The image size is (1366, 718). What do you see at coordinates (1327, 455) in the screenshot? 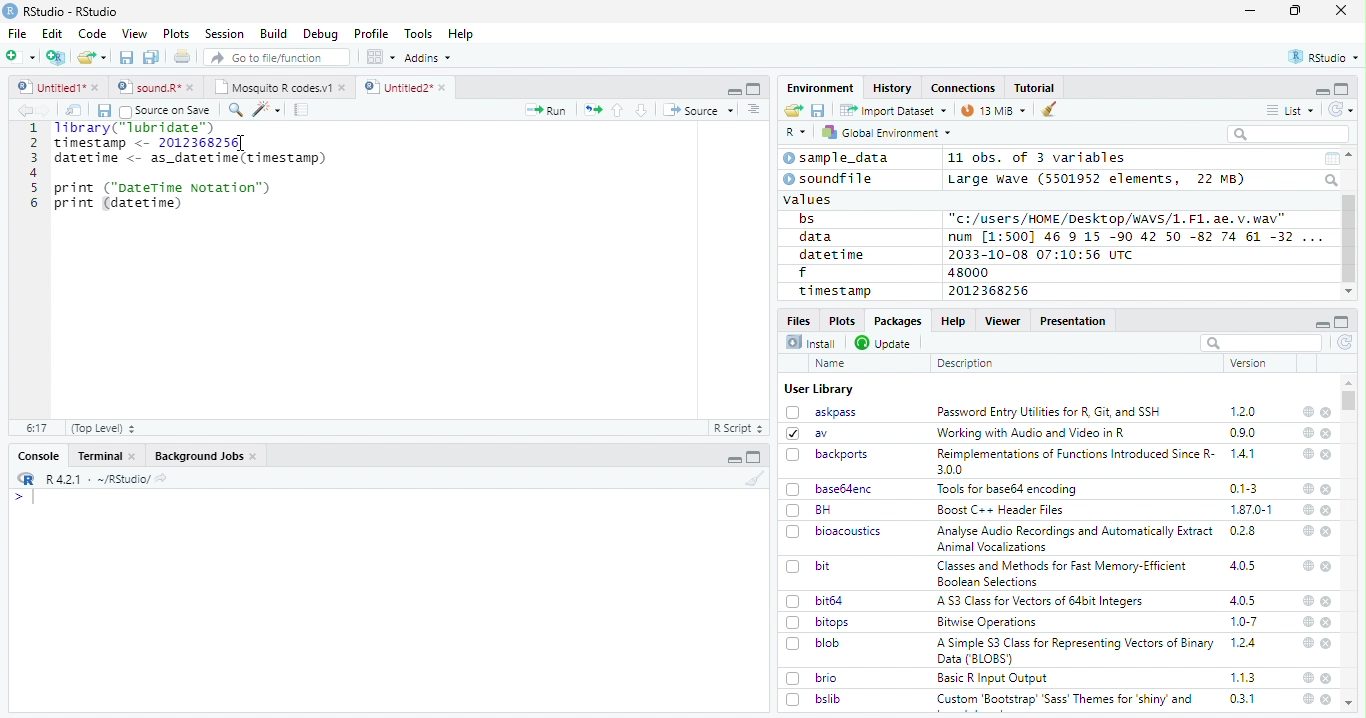
I see `close` at bounding box center [1327, 455].